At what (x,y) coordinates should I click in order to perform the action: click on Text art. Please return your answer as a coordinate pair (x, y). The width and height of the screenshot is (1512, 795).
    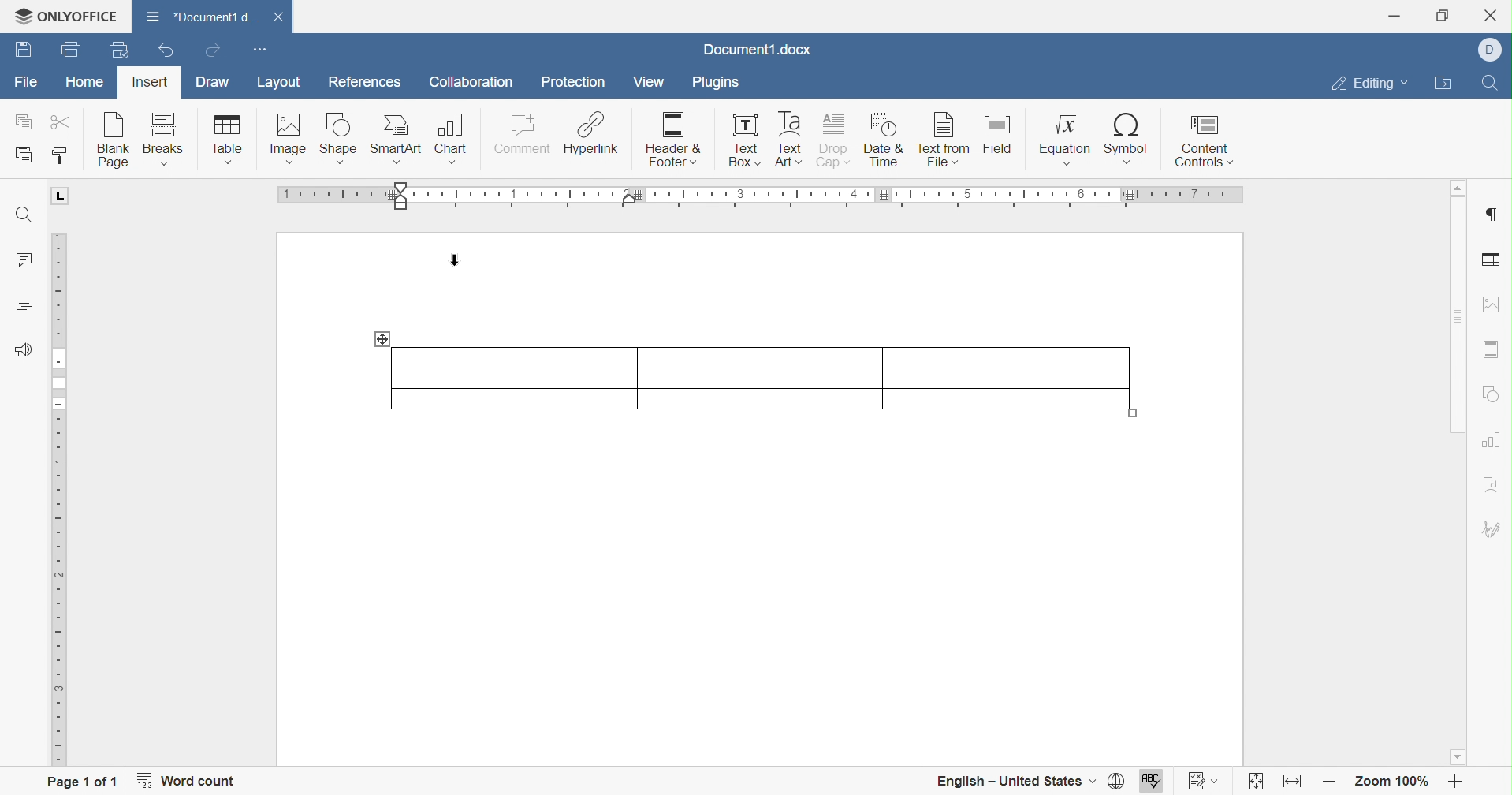
    Looking at the image, I should click on (792, 140).